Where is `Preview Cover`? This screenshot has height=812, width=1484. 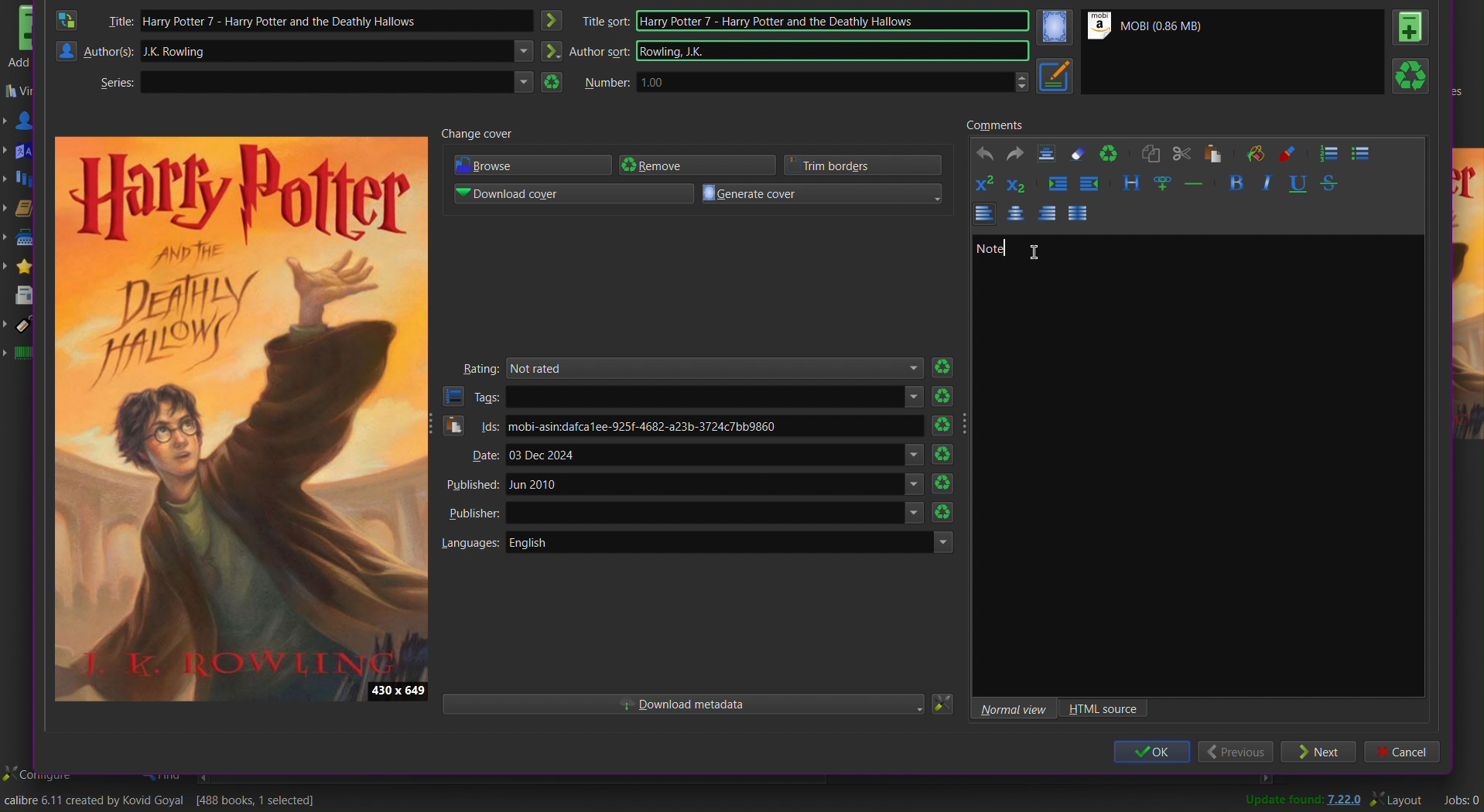
Preview Cover is located at coordinates (241, 418).